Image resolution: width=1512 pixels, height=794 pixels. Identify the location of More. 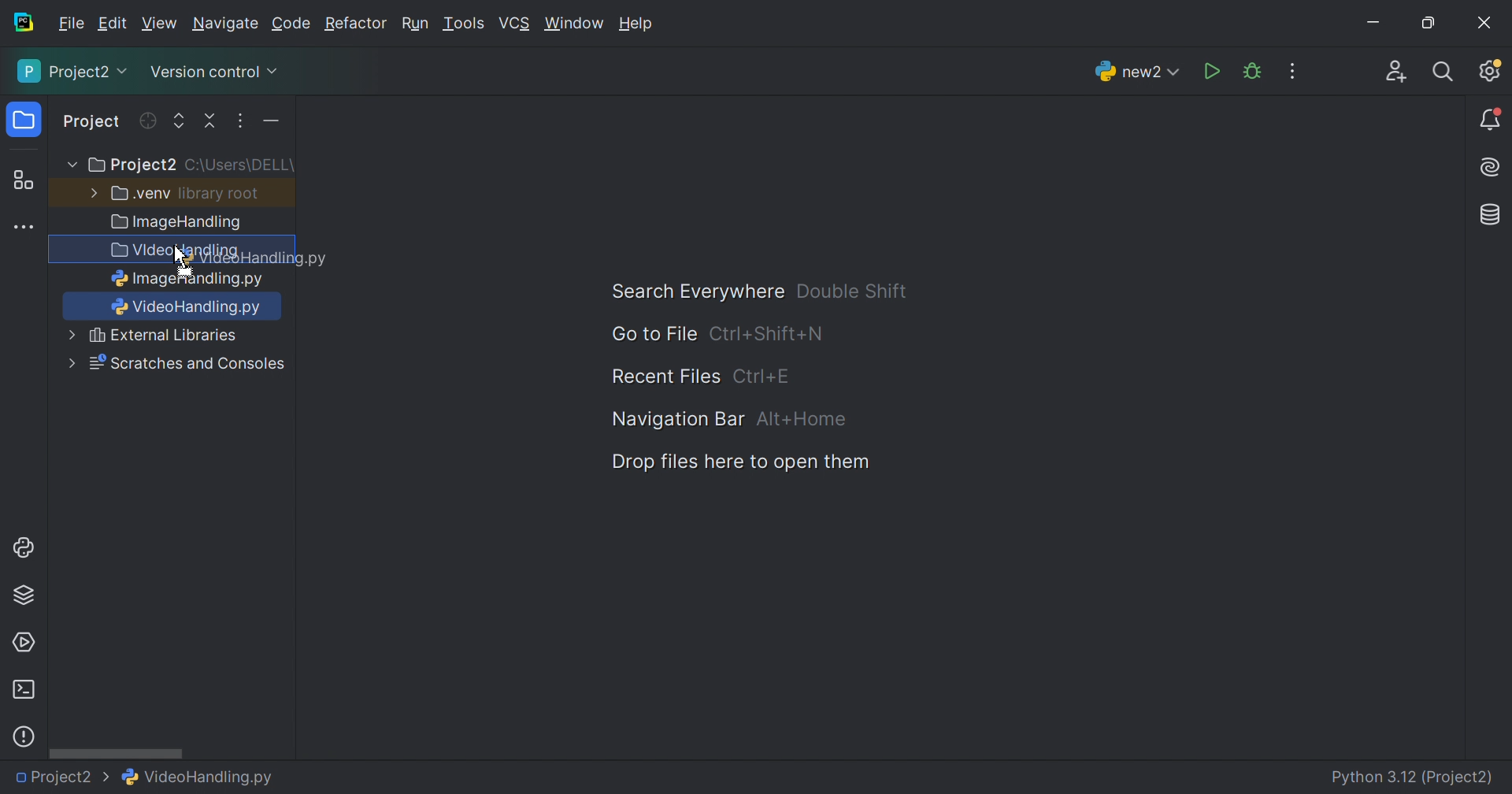
(91, 191).